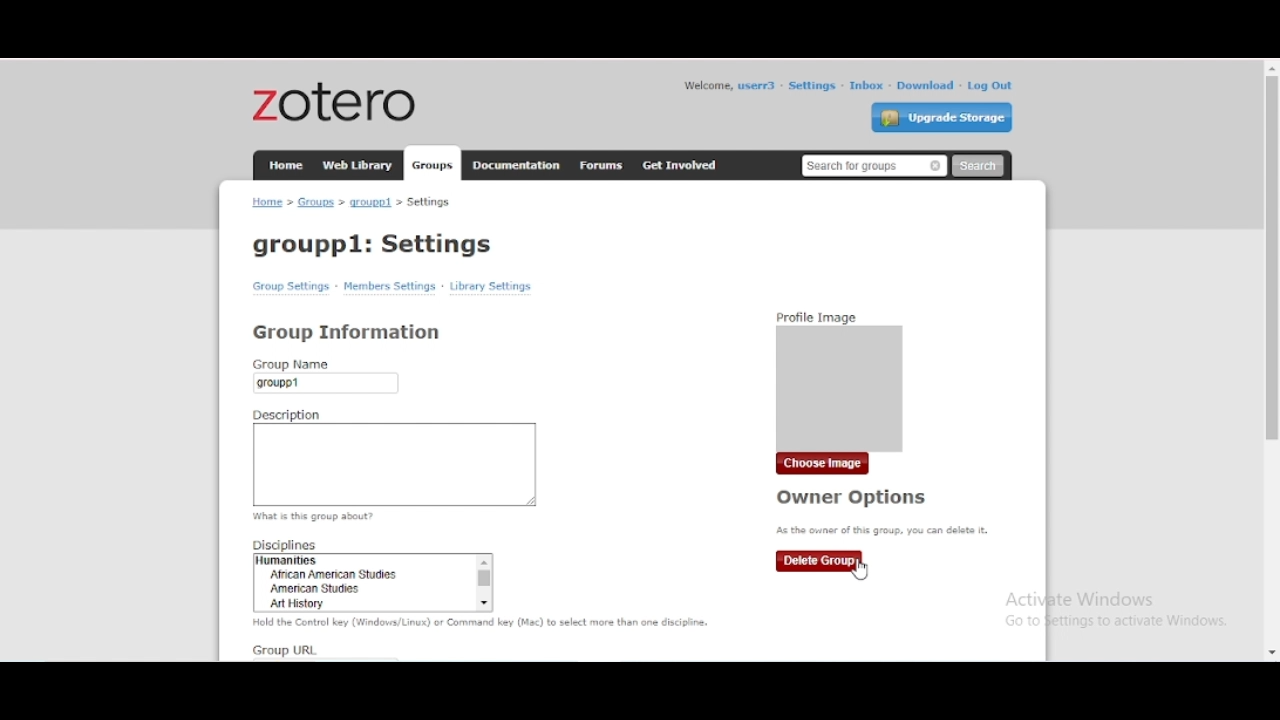 Image resolution: width=1280 pixels, height=720 pixels. Describe the element at coordinates (990, 85) in the screenshot. I see `log out` at that location.